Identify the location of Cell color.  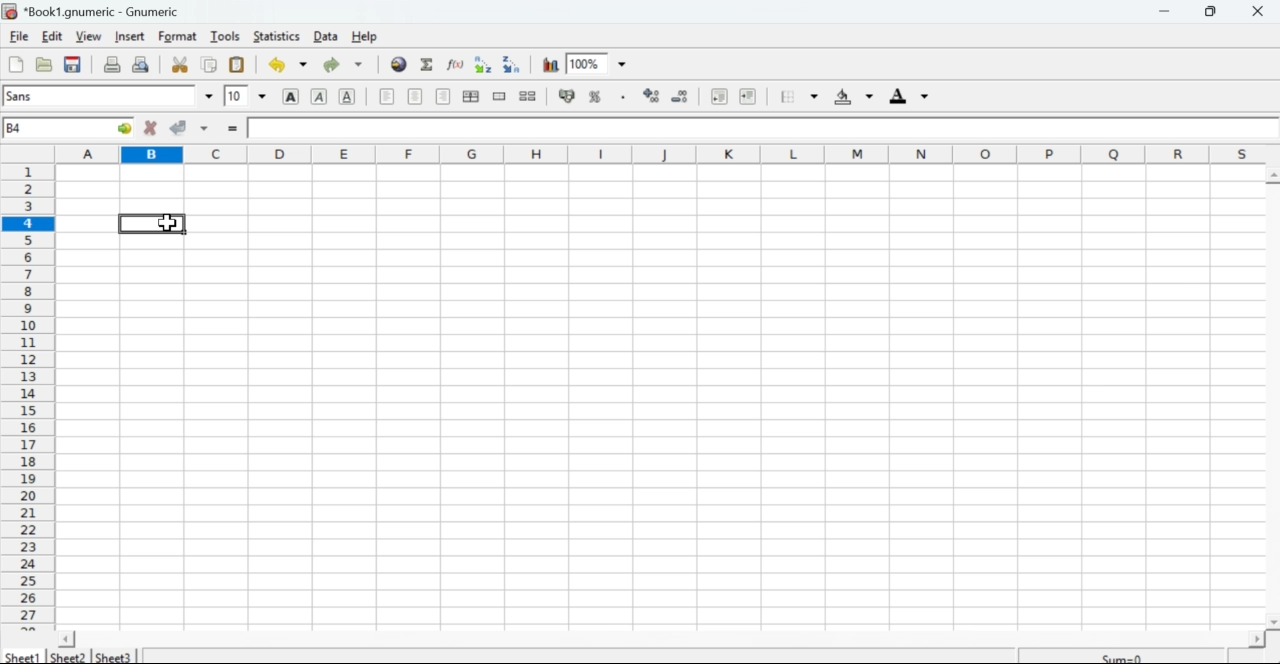
(851, 97).